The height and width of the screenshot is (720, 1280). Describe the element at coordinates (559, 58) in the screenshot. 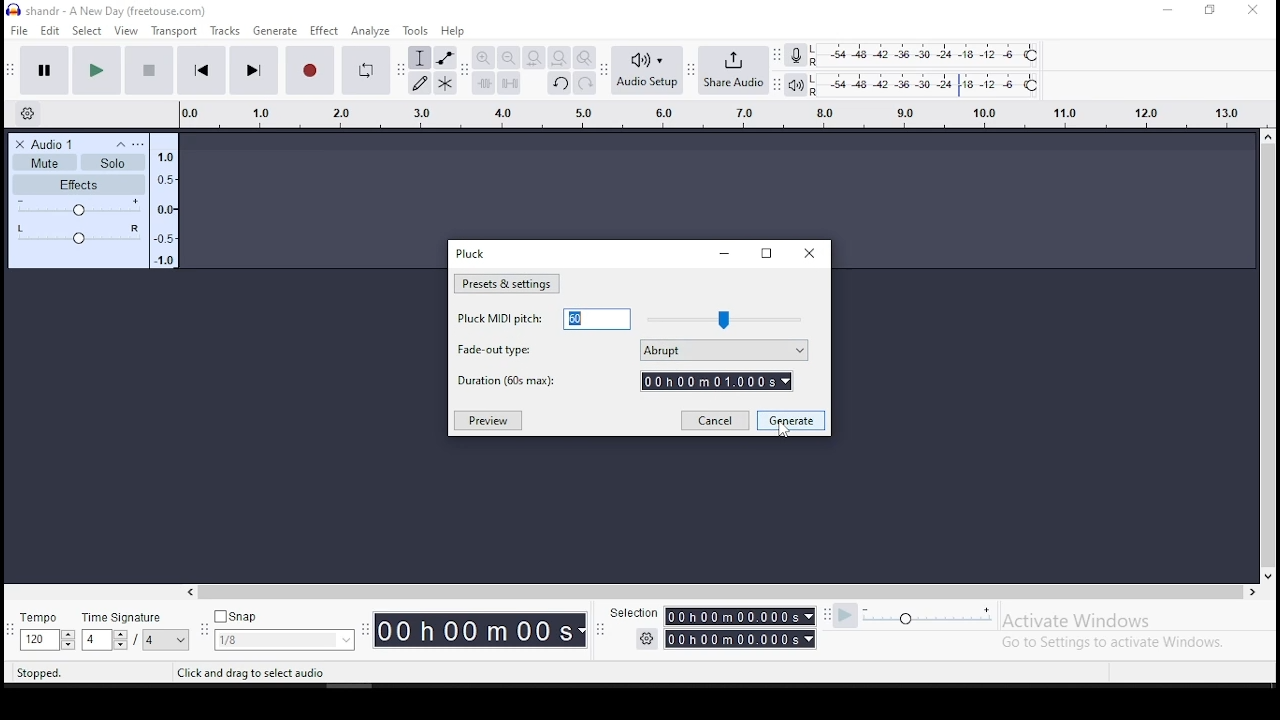

I see `fit project to width` at that location.